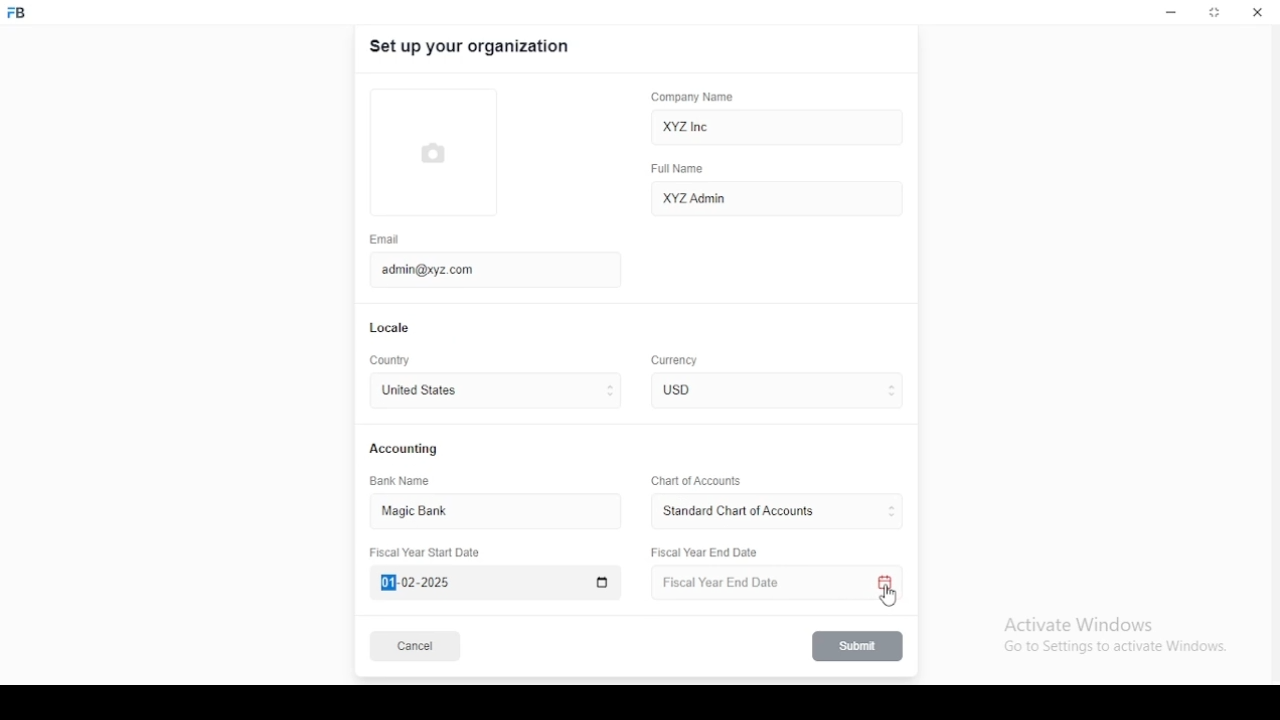 This screenshot has width=1280, height=720. What do you see at coordinates (448, 153) in the screenshot?
I see `logo tumbnail` at bounding box center [448, 153].